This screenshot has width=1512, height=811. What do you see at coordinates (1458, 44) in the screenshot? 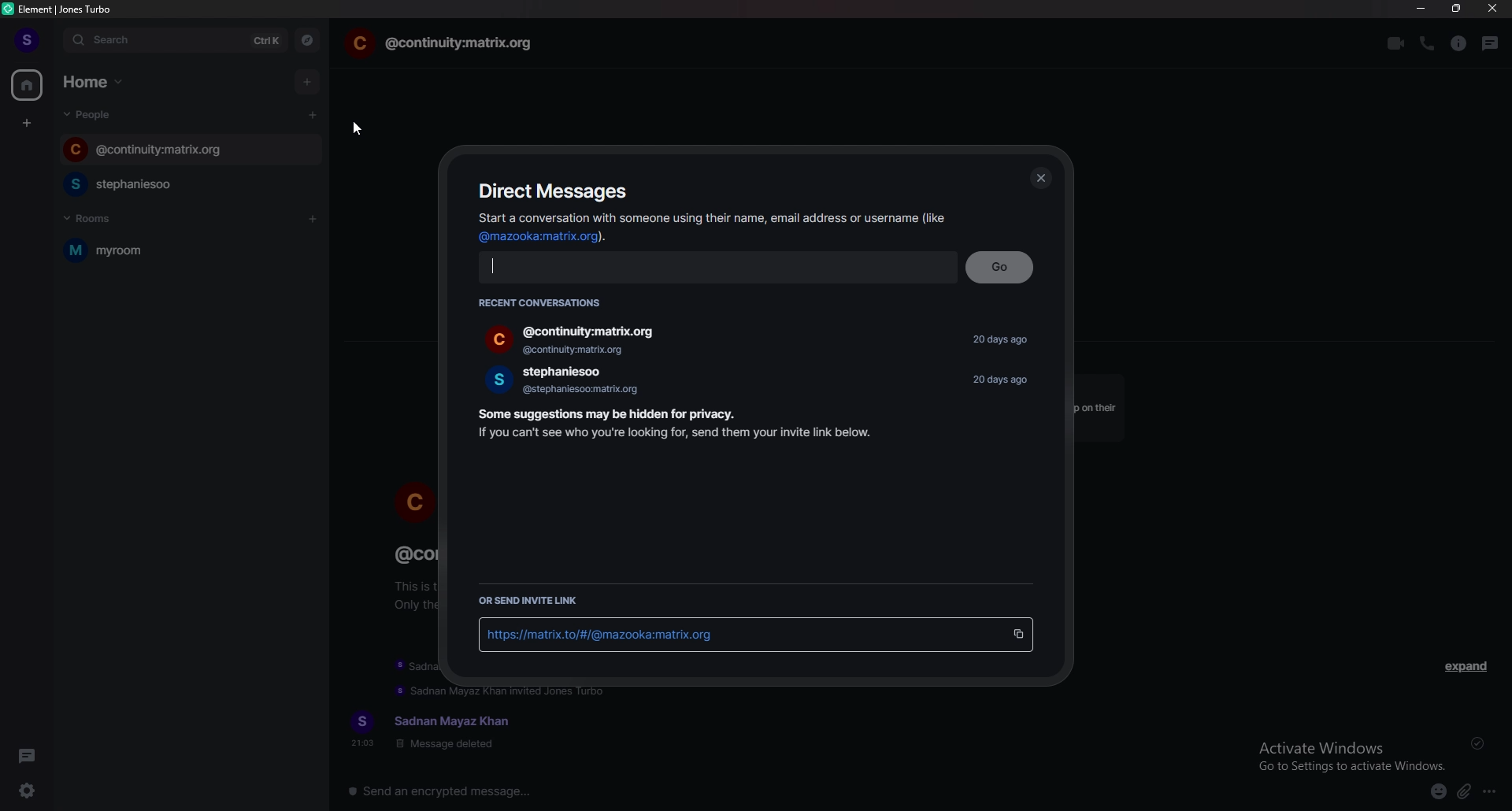
I see `room info` at bounding box center [1458, 44].